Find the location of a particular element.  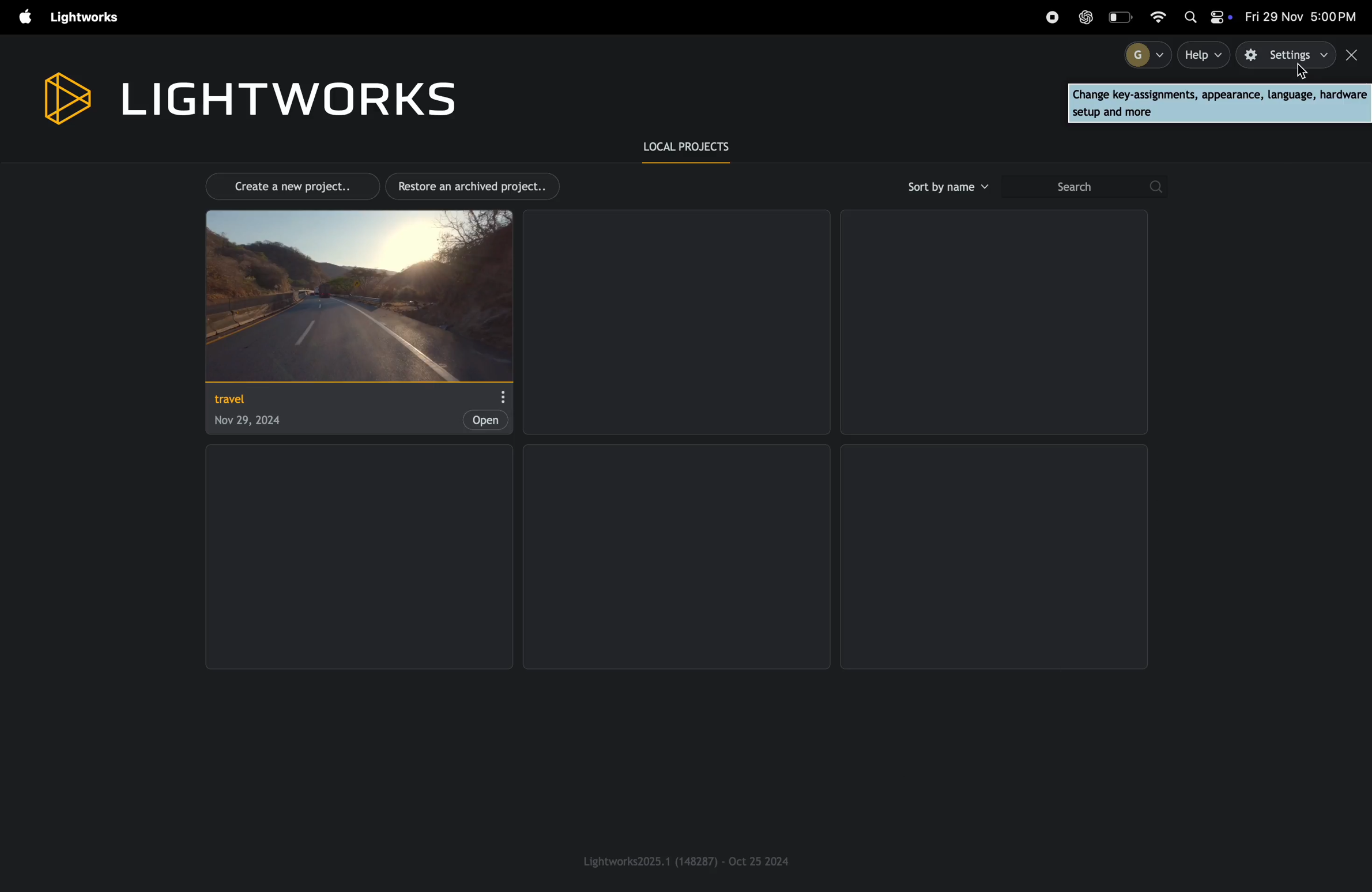

light works is located at coordinates (88, 18).